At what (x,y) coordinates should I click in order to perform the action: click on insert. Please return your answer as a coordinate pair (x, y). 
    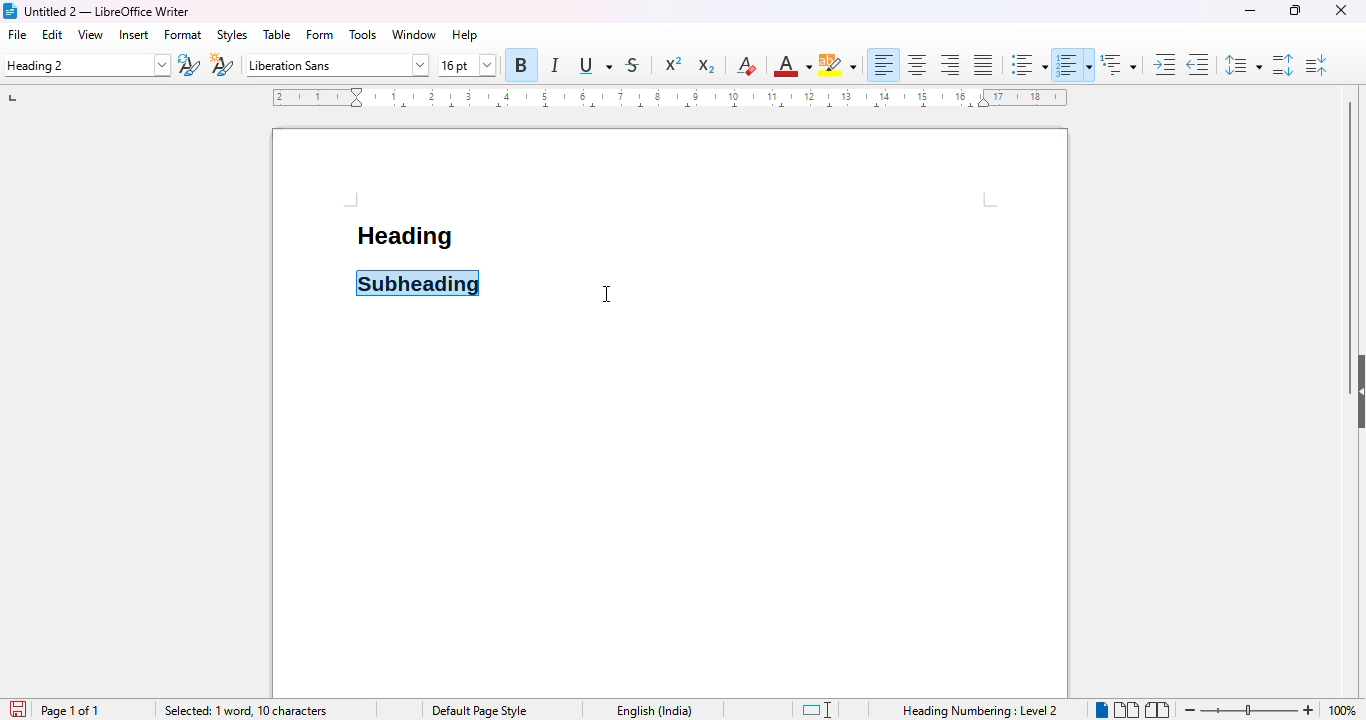
    Looking at the image, I should click on (134, 35).